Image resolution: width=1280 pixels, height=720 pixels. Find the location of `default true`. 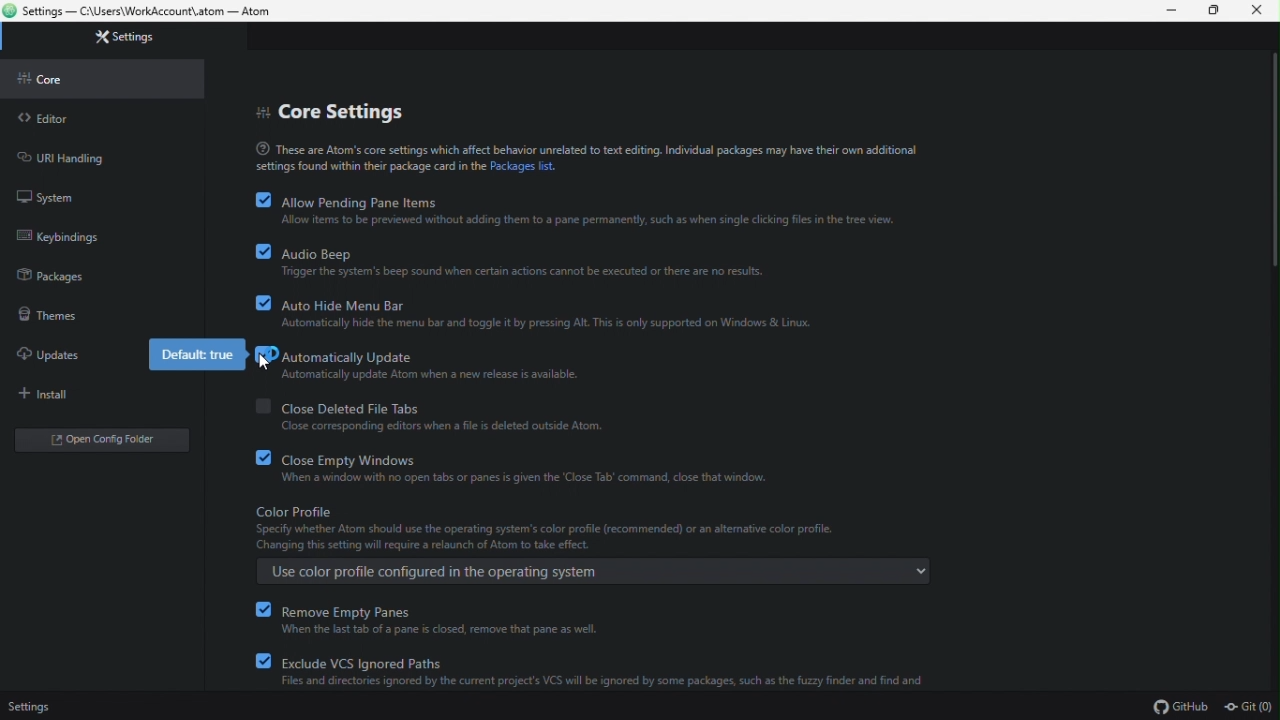

default true is located at coordinates (195, 356).